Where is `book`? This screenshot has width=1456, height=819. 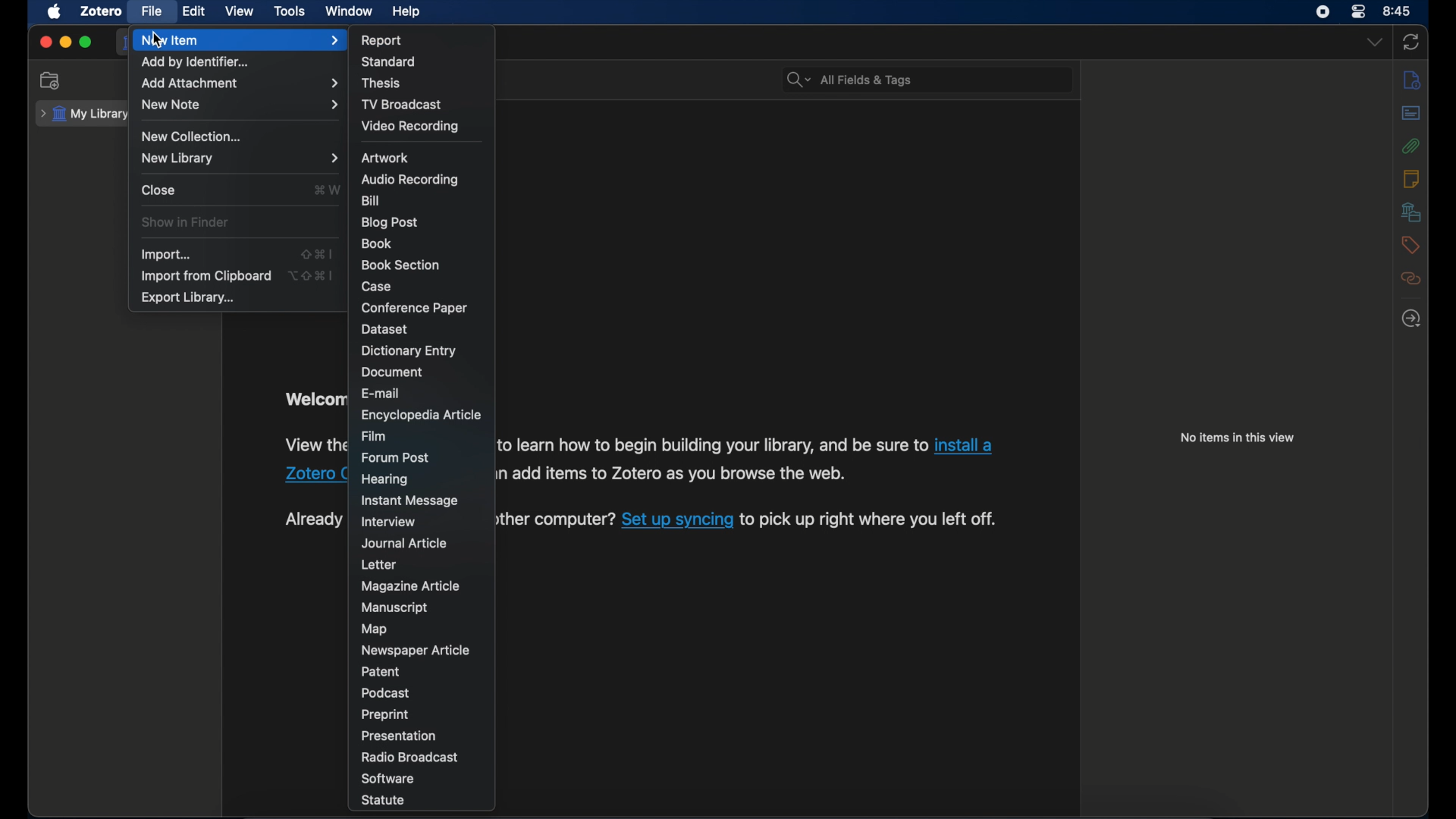 book is located at coordinates (376, 243).